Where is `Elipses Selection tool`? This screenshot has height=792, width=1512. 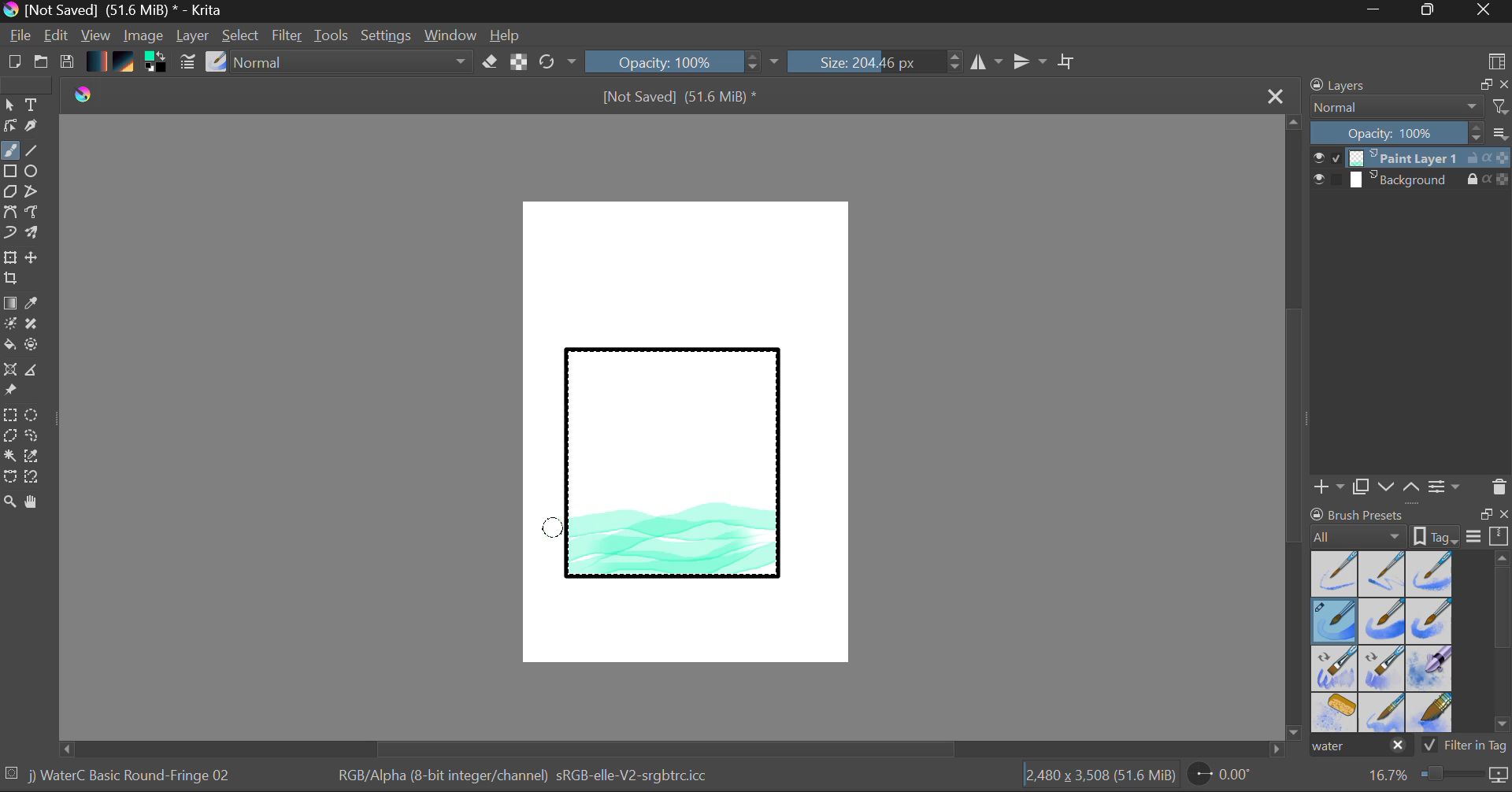
Elipses Selection tool is located at coordinates (35, 416).